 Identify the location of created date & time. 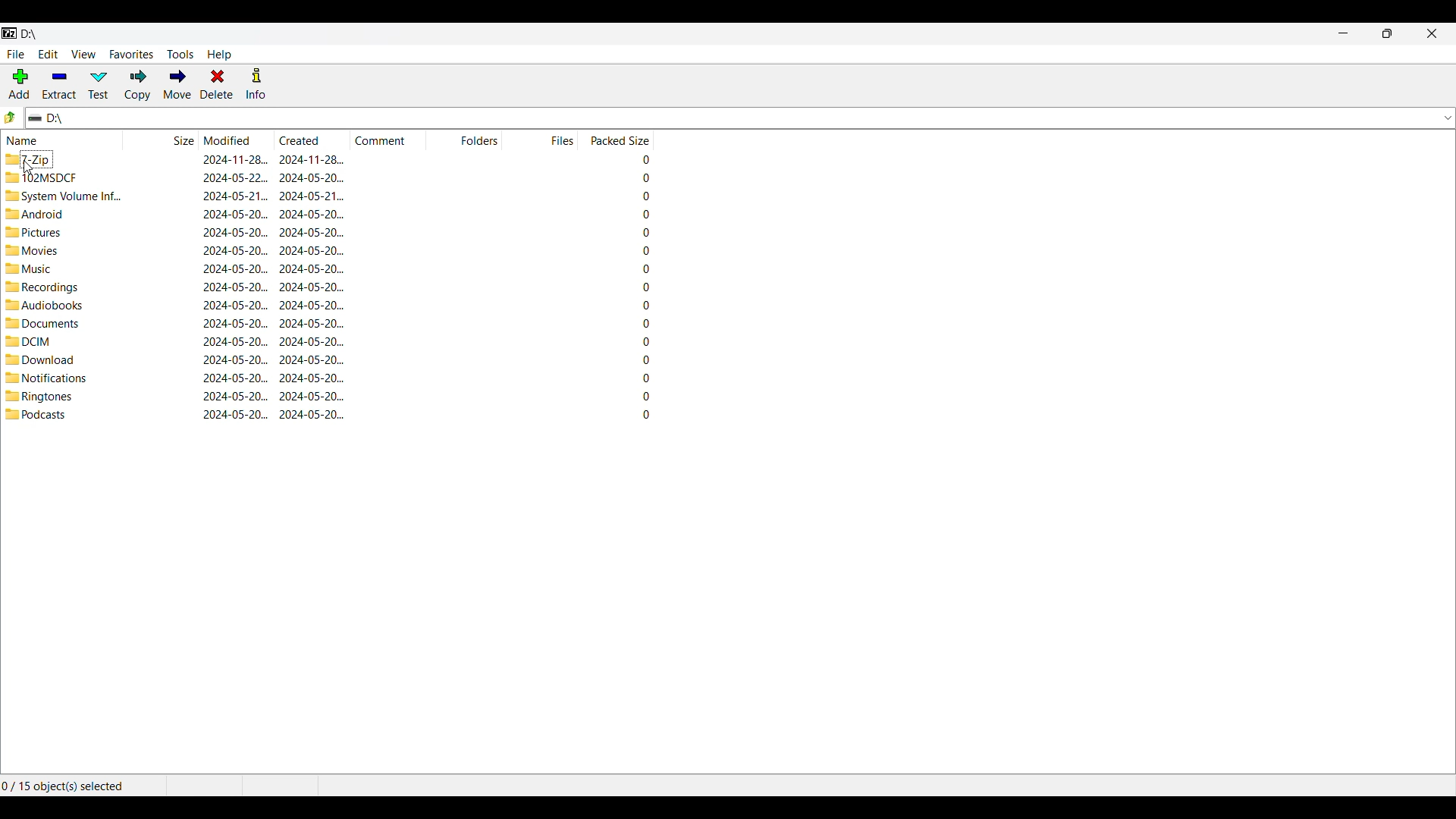
(311, 177).